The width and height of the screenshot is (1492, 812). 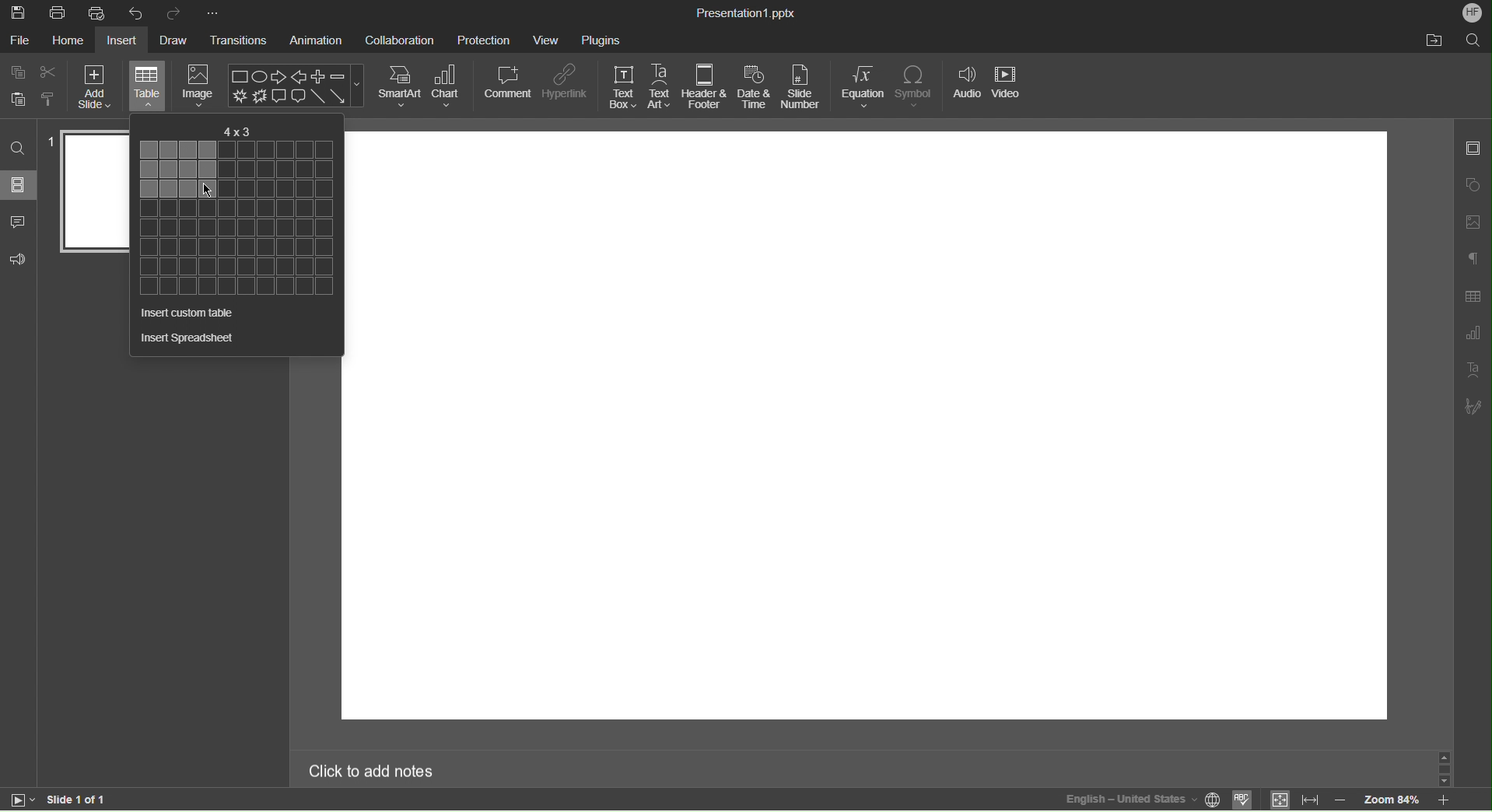 I want to click on Text Box, so click(x=623, y=86).